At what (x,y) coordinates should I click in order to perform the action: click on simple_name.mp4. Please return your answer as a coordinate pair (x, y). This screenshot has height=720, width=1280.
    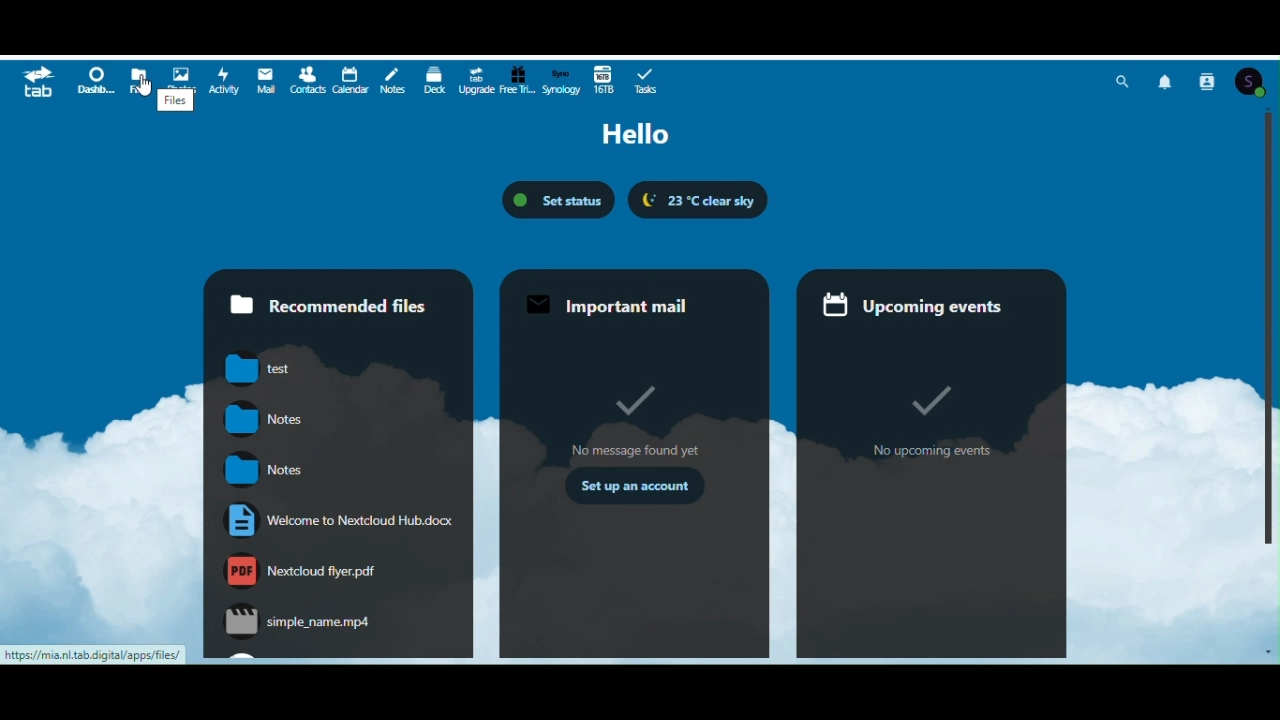
    Looking at the image, I should click on (298, 621).